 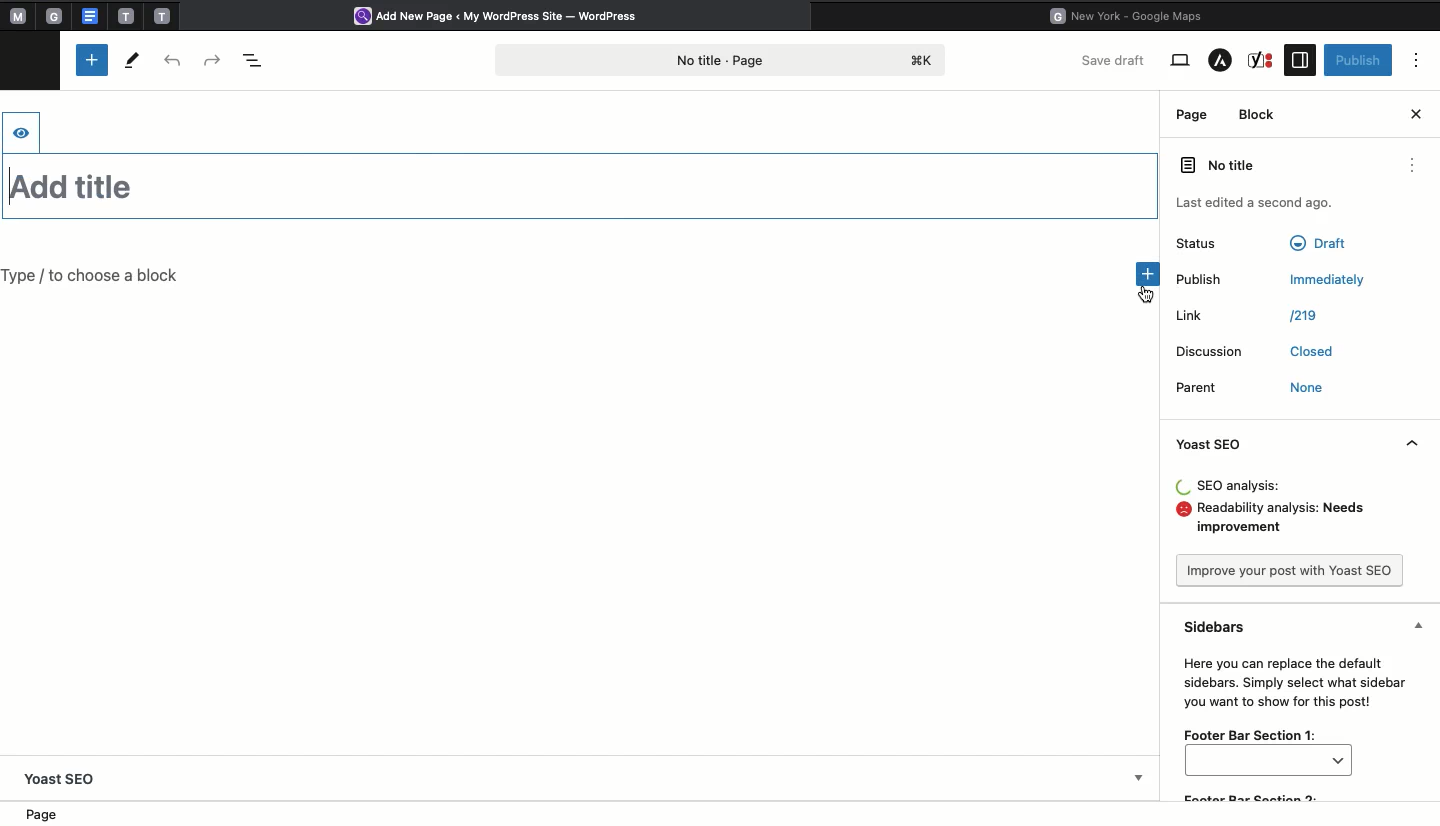 What do you see at coordinates (1290, 571) in the screenshot?
I see `Improve` at bounding box center [1290, 571].